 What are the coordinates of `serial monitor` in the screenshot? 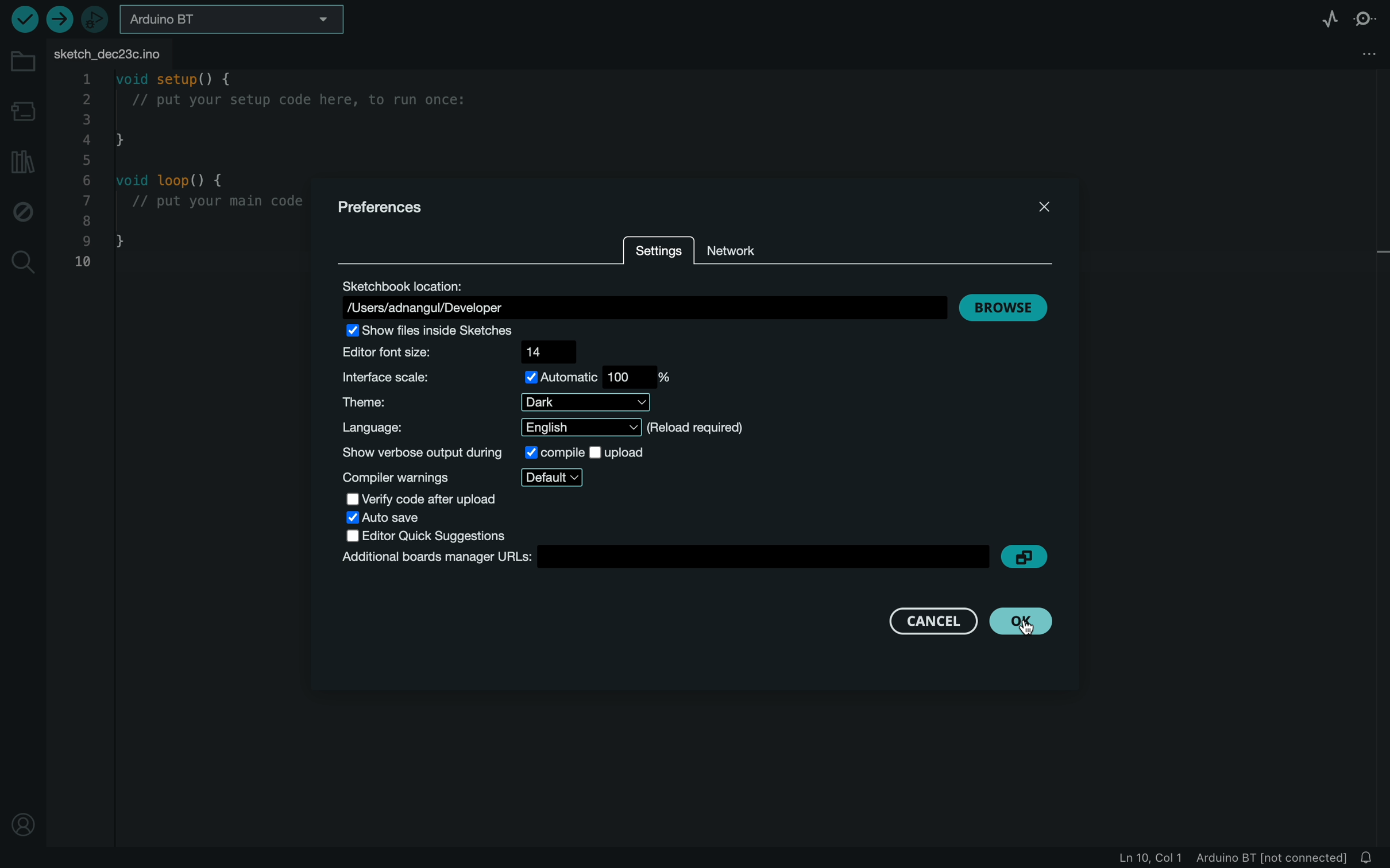 It's located at (1366, 17).